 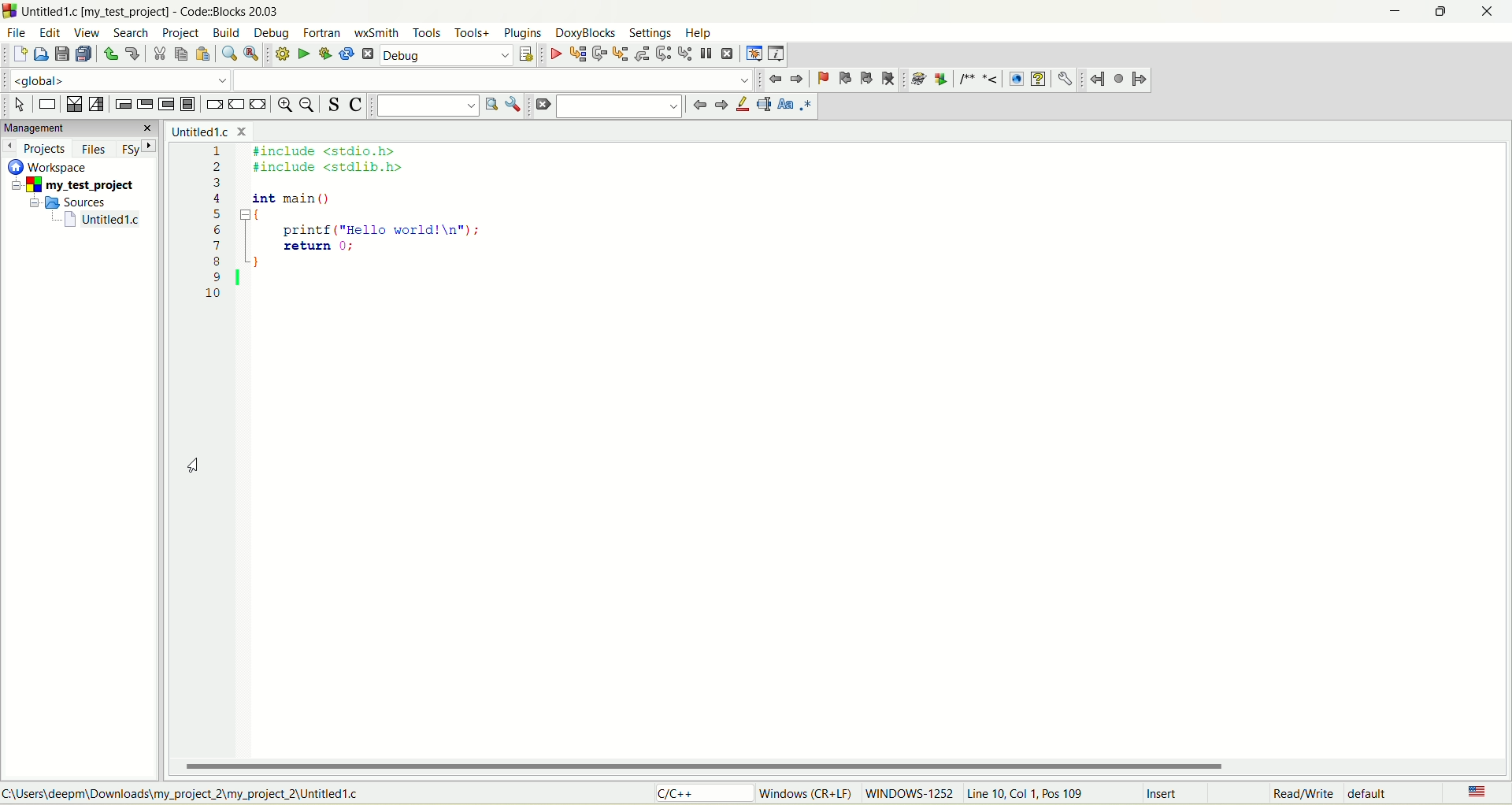 What do you see at coordinates (132, 54) in the screenshot?
I see `redo` at bounding box center [132, 54].